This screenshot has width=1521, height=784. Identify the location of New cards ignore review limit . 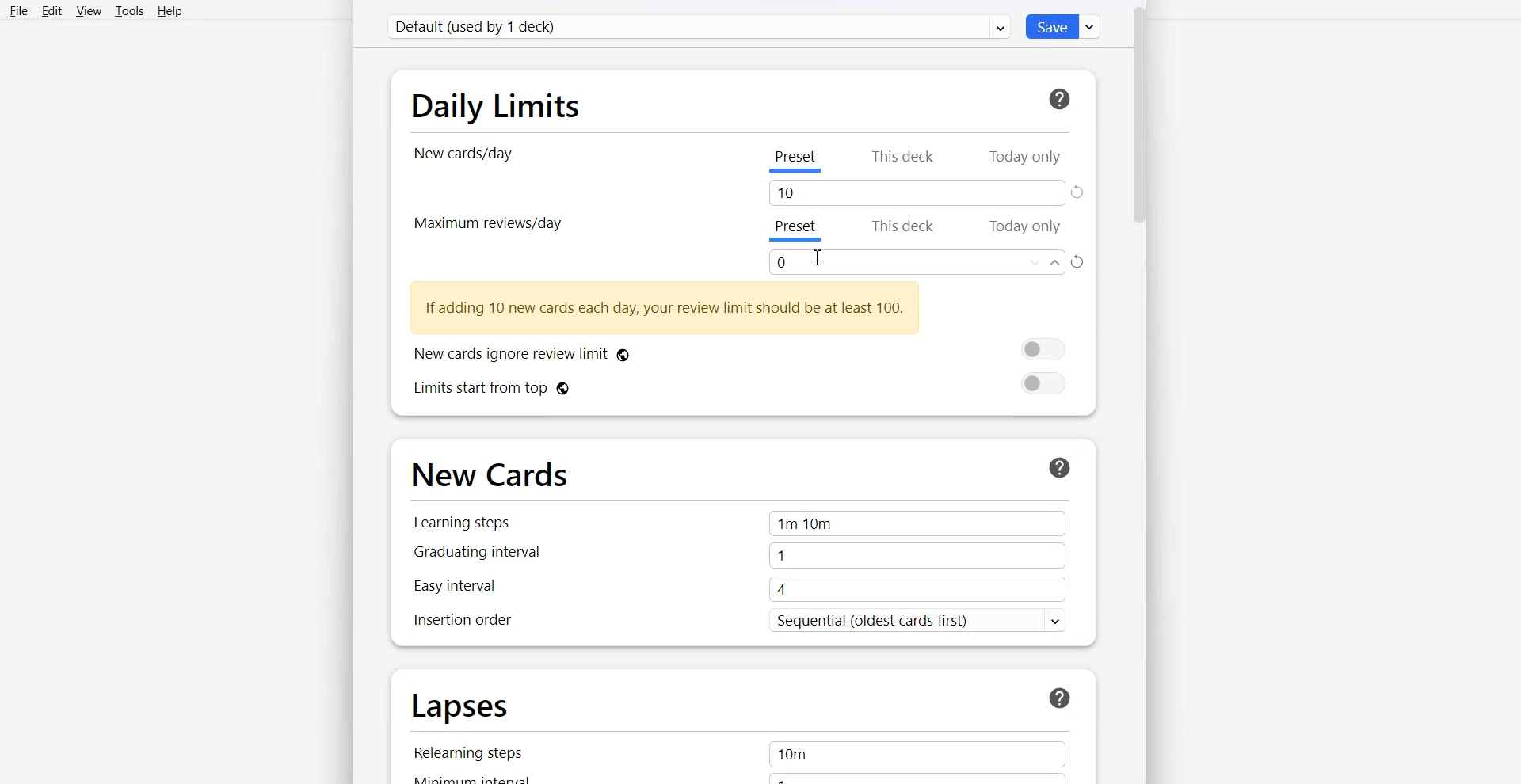
(739, 351).